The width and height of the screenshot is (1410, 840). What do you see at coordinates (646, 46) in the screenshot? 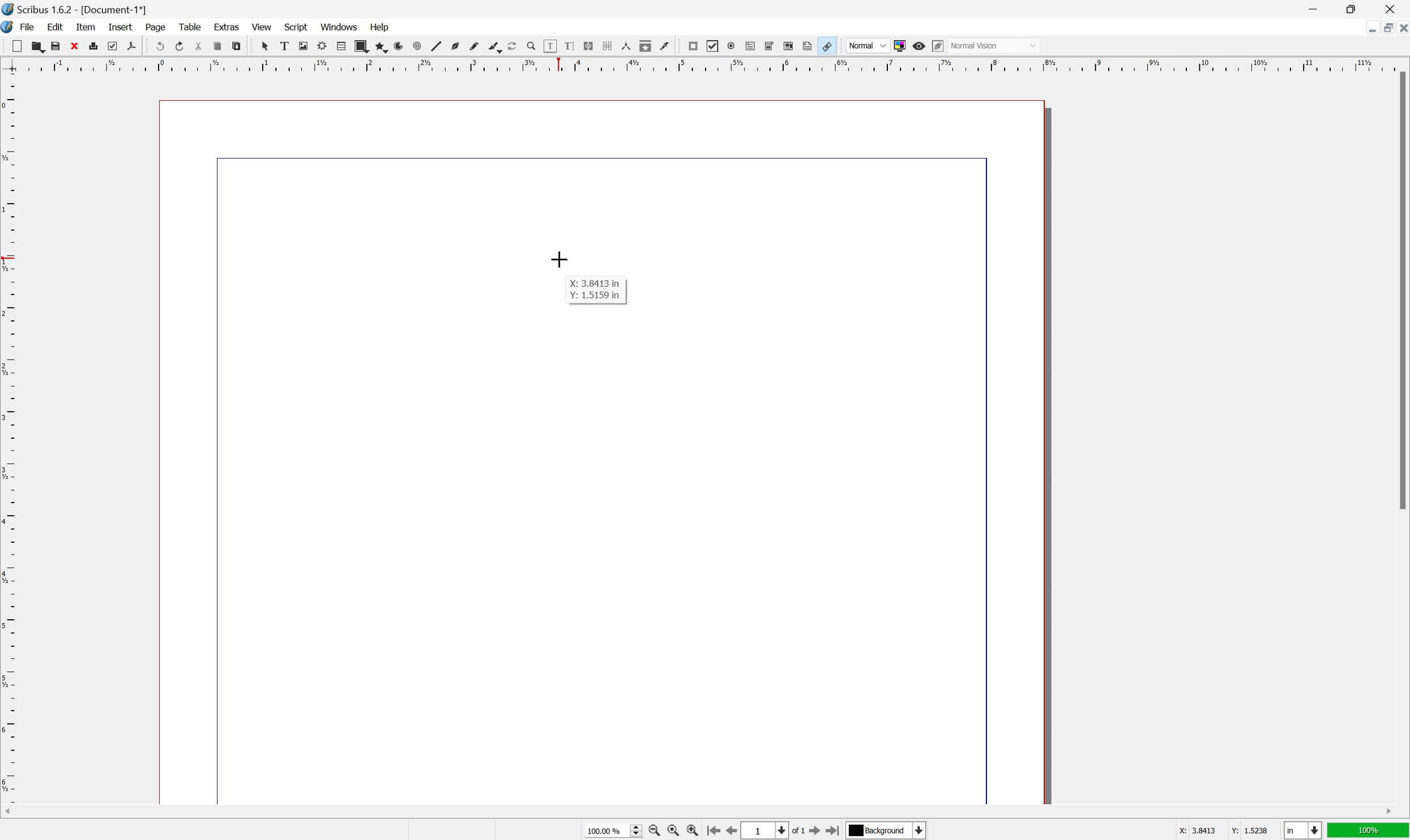
I see `copy item properties` at bounding box center [646, 46].